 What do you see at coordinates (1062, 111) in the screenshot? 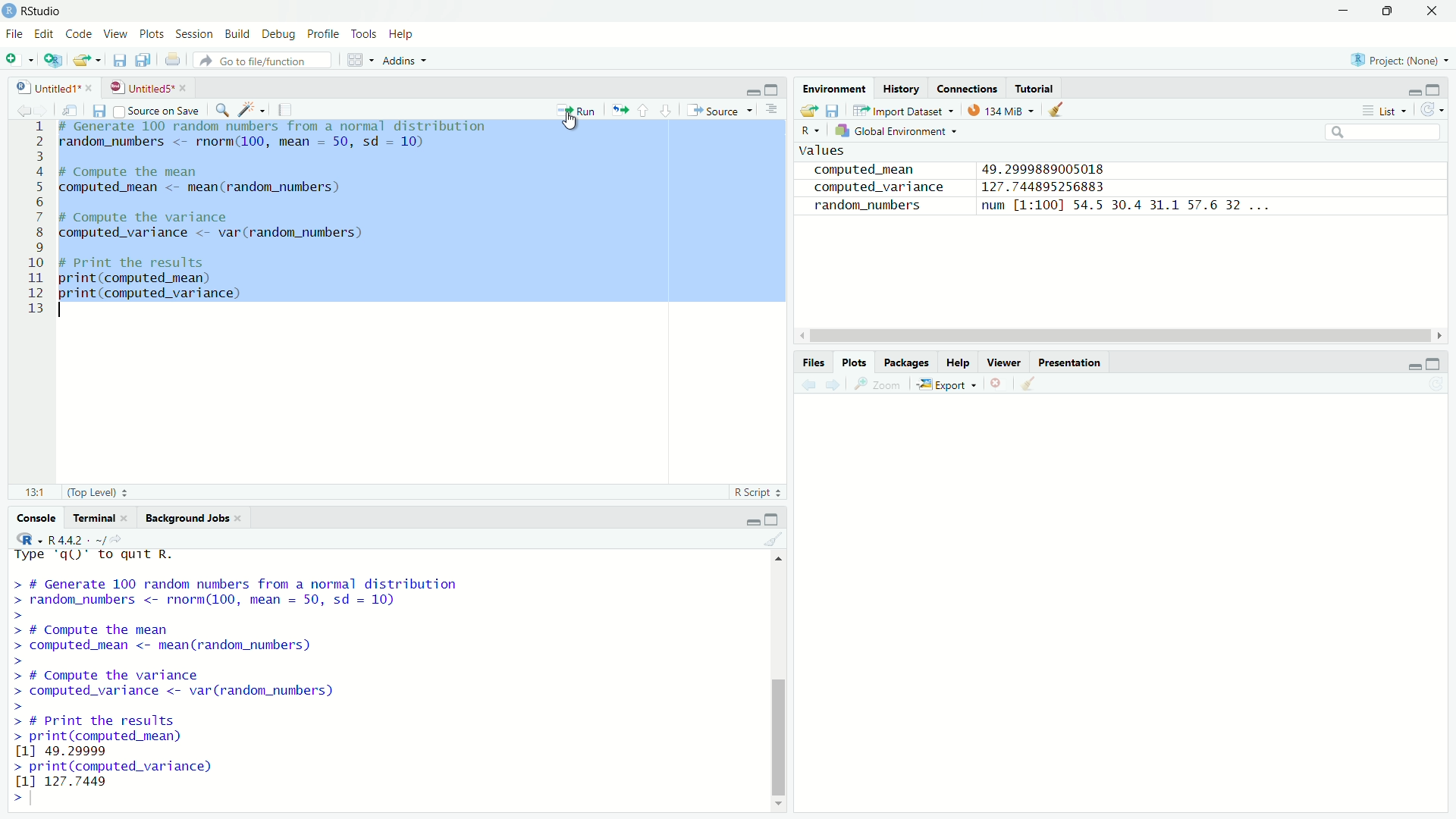
I see `clear objects from the workspace` at bounding box center [1062, 111].